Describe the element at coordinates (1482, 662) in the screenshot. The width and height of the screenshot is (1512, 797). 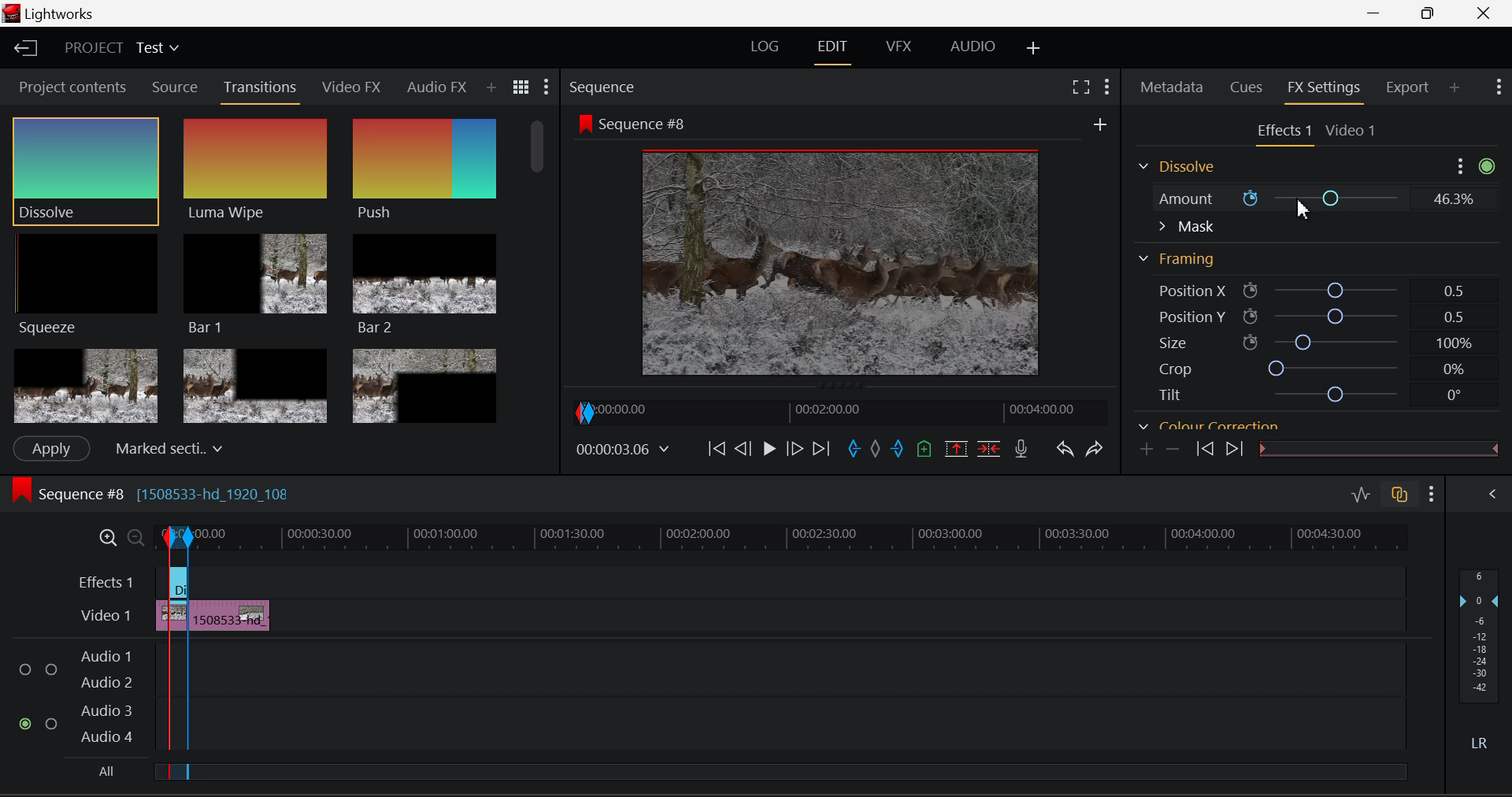
I see `Decibel Level` at that location.